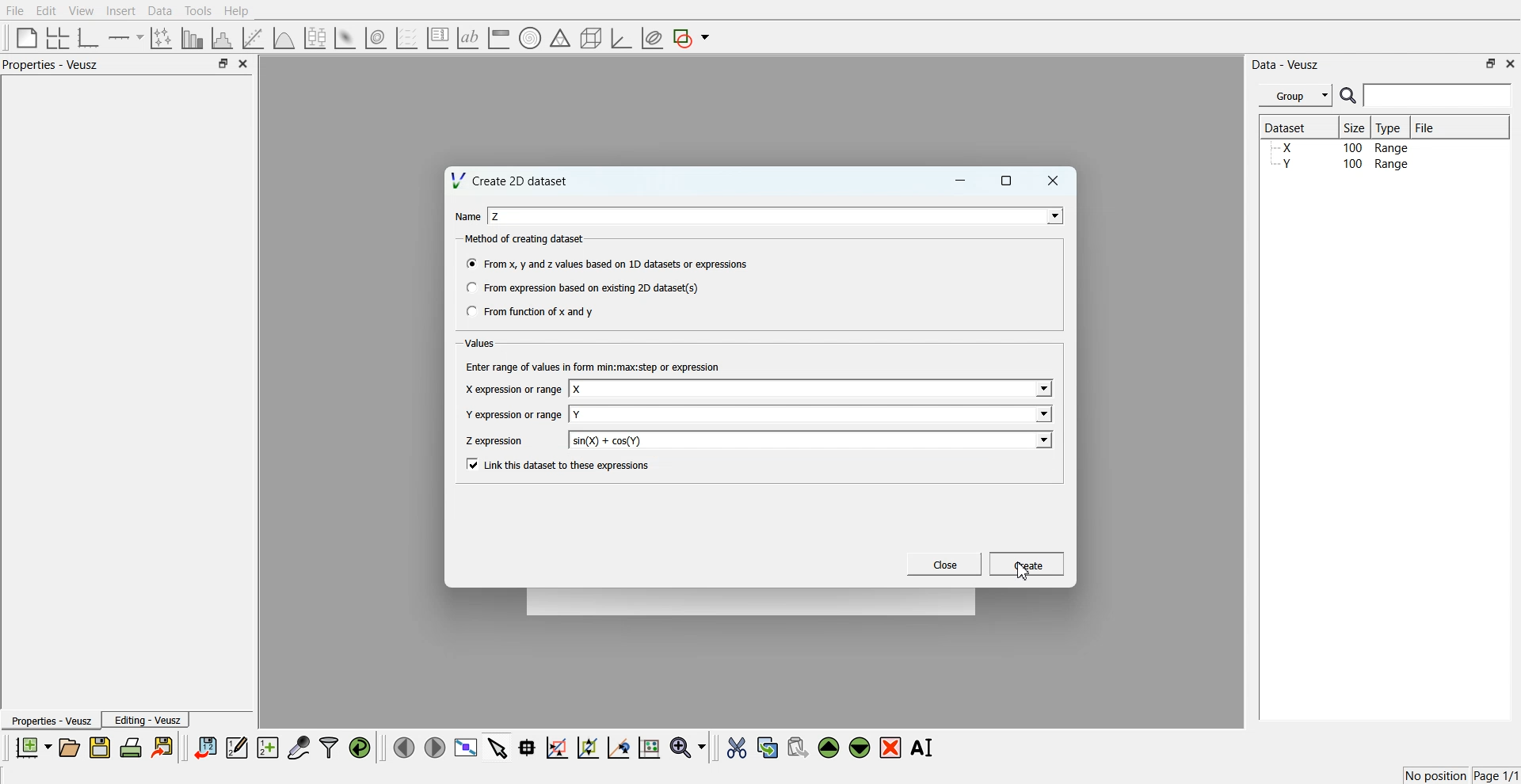  What do you see at coordinates (945, 564) in the screenshot?
I see `Close` at bounding box center [945, 564].